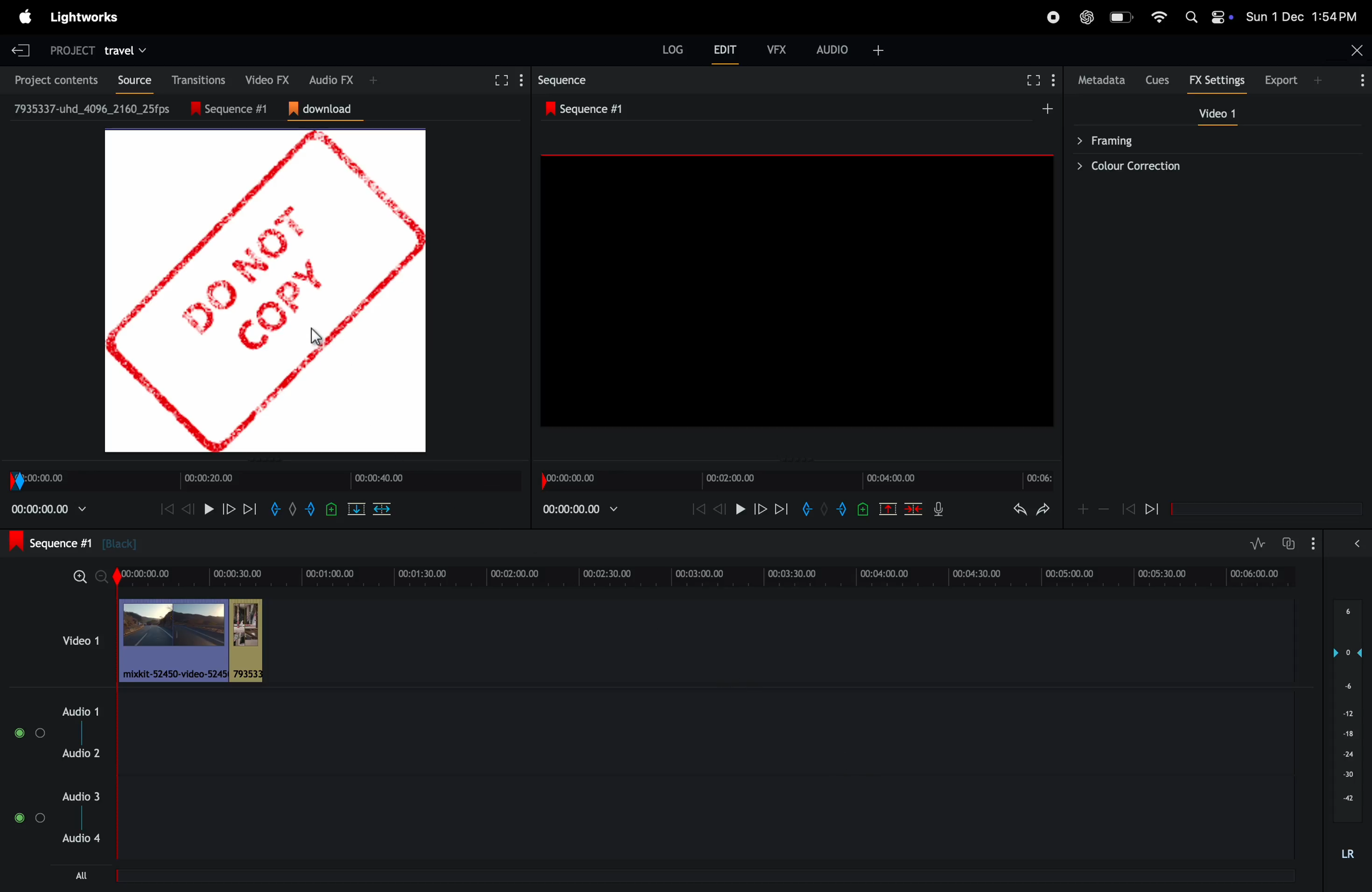 The height and width of the screenshot is (892, 1372). What do you see at coordinates (1047, 108) in the screenshot?
I see `Add` at bounding box center [1047, 108].